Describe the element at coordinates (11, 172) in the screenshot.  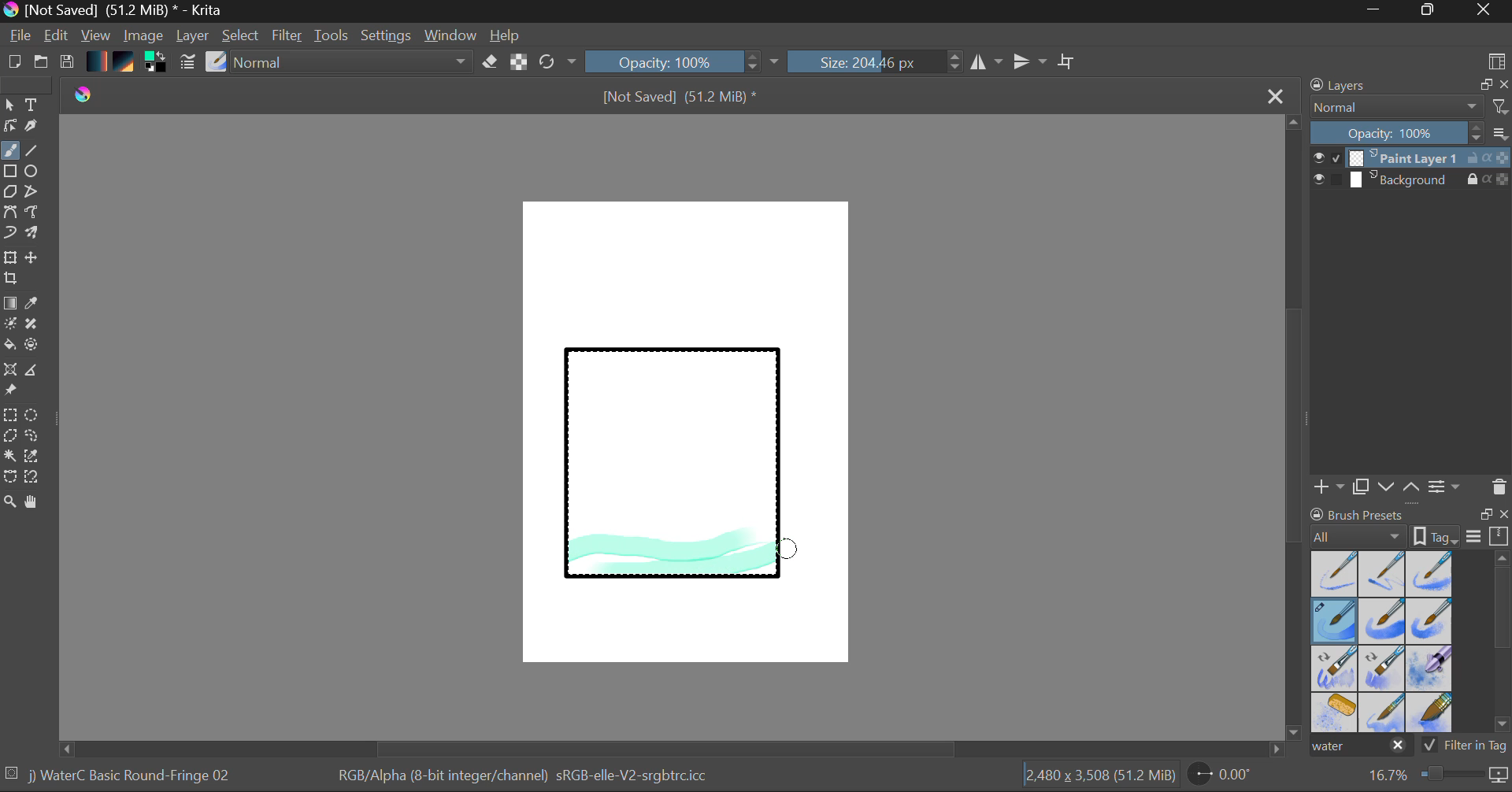
I see `Rectangle` at that location.